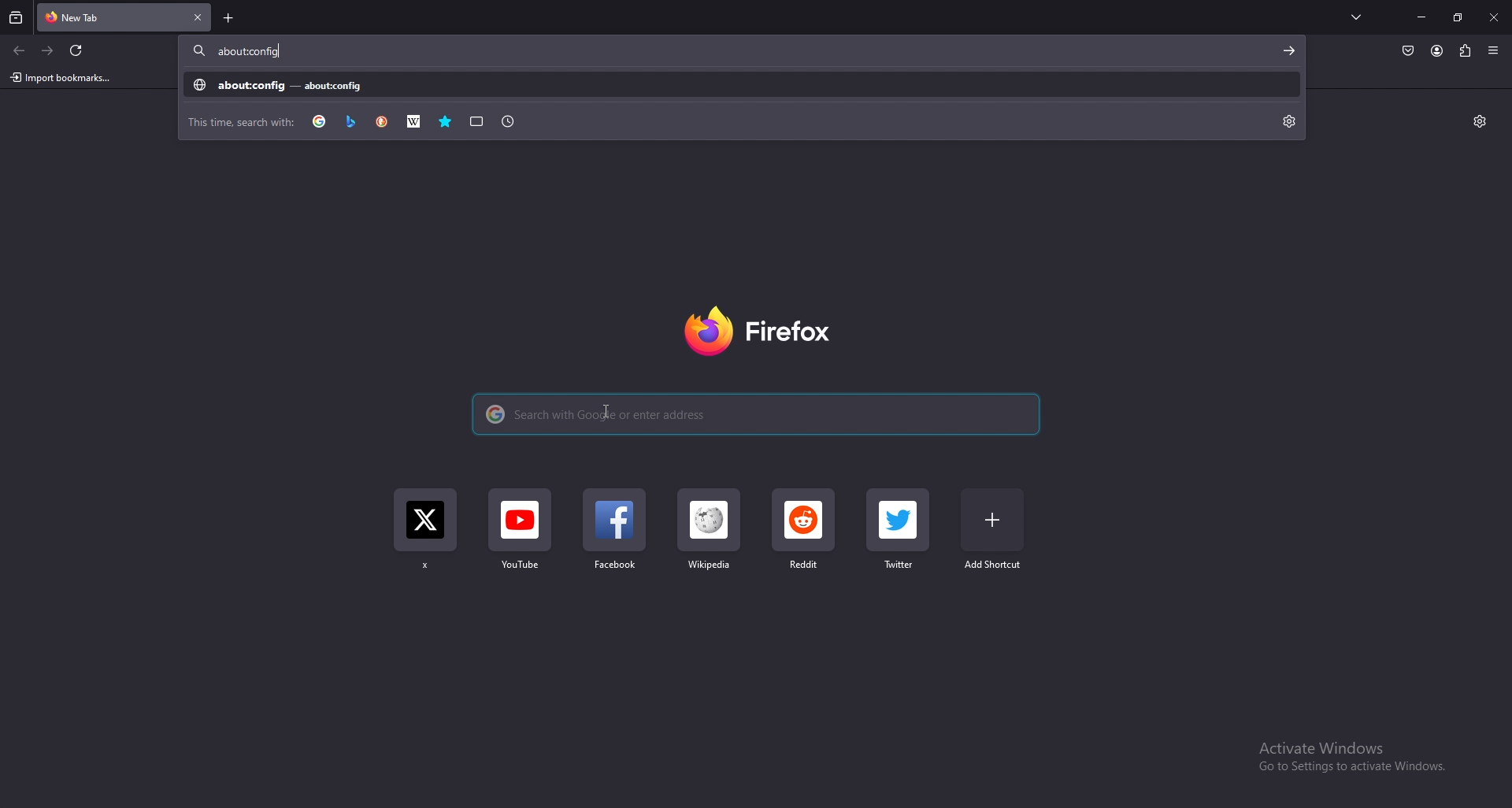 This screenshot has height=808, width=1512. Describe the element at coordinates (1480, 121) in the screenshot. I see `customize` at that location.